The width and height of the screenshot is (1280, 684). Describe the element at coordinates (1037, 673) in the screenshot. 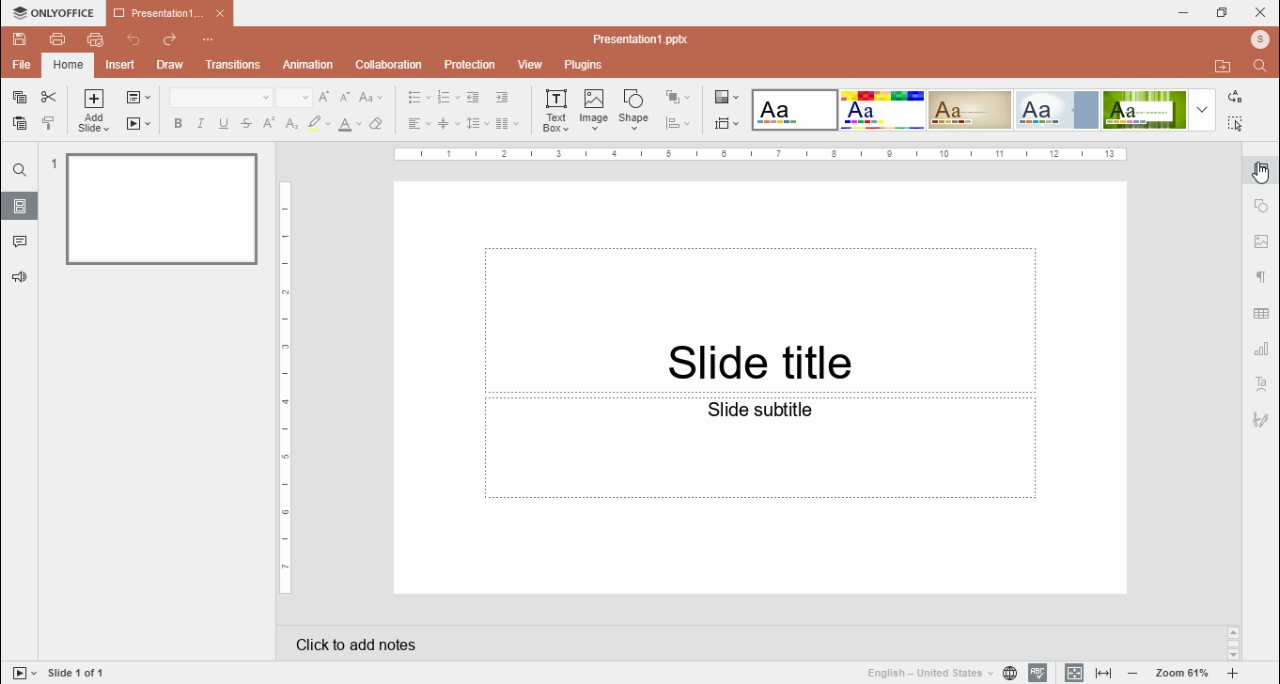

I see `spell check` at that location.